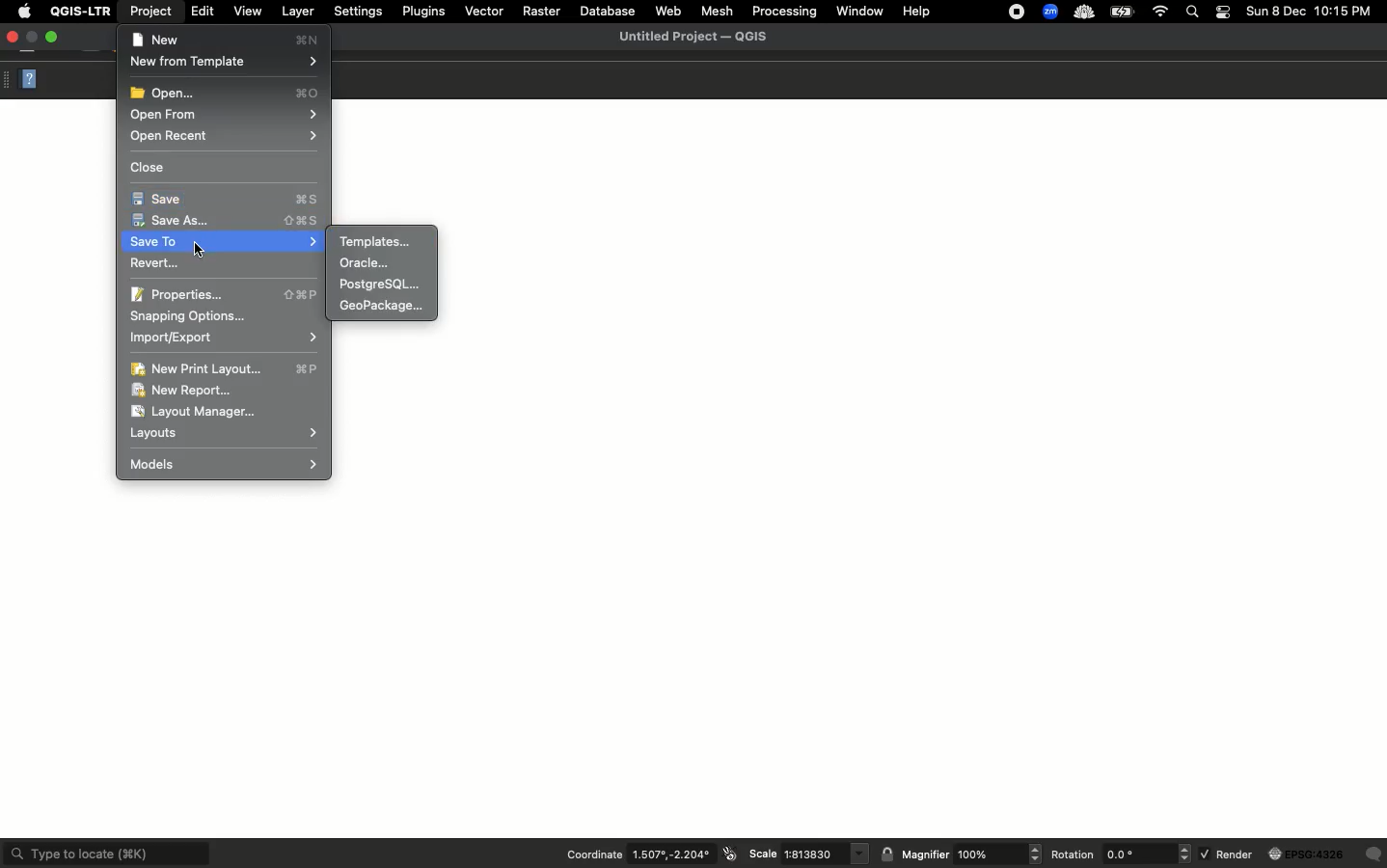 This screenshot has height=868, width=1387. Describe the element at coordinates (297, 12) in the screenshot. I see `Layer` at that location.